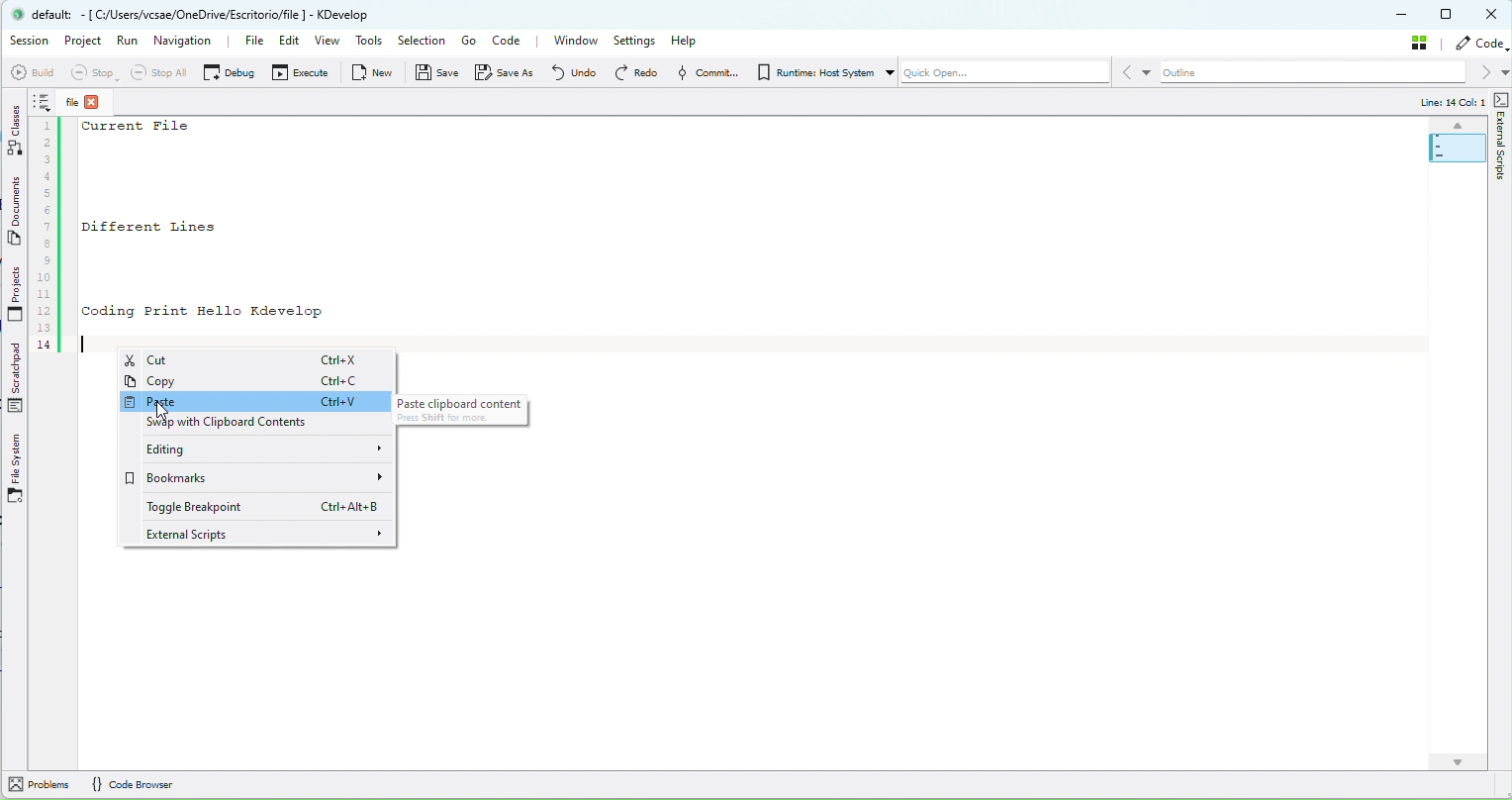 Image resolution: width=1512 pixels, height=800 pixels. I want to click on Build, so click(31, 72).